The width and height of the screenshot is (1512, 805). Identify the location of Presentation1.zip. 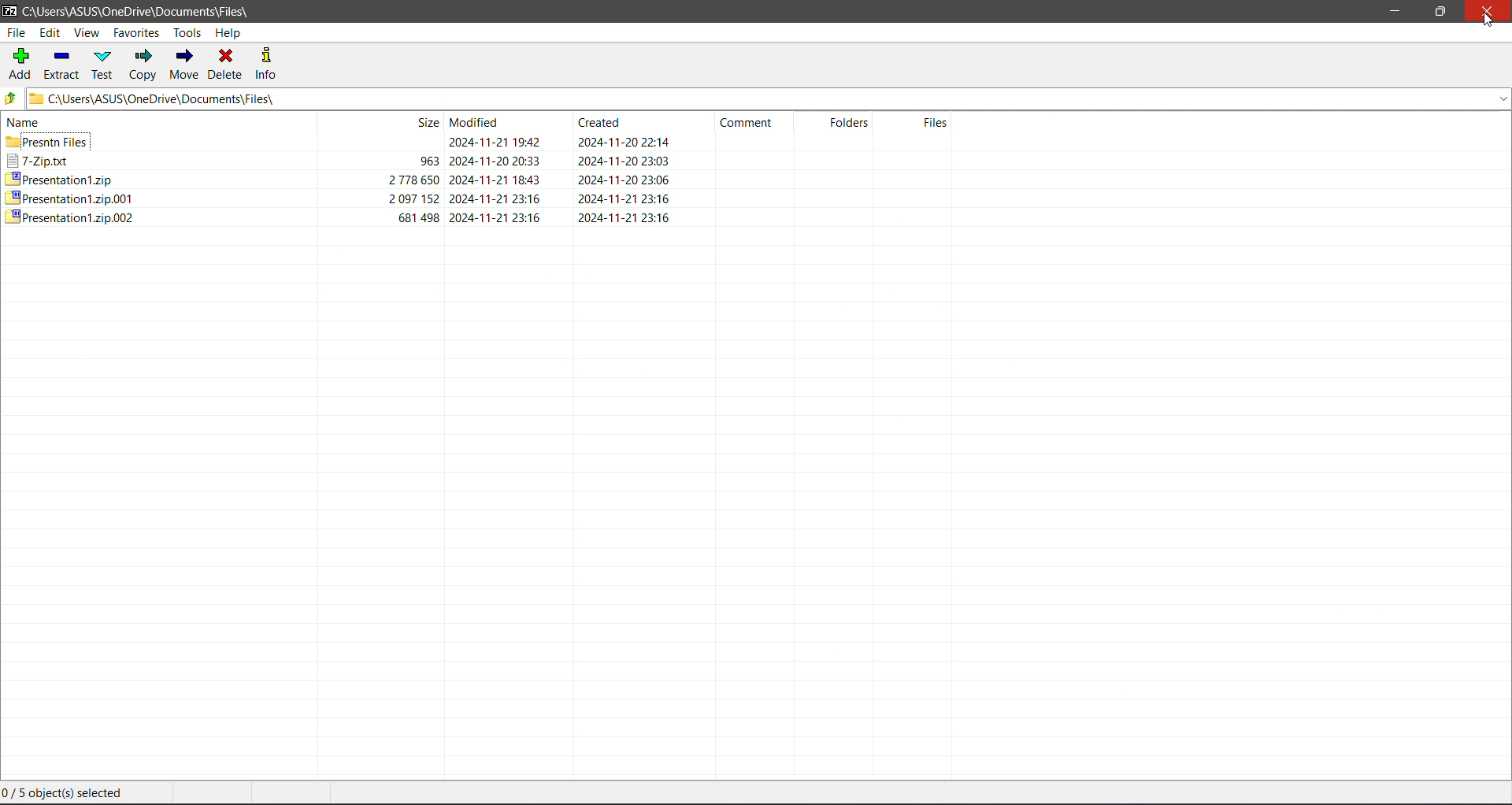
(61, 177).